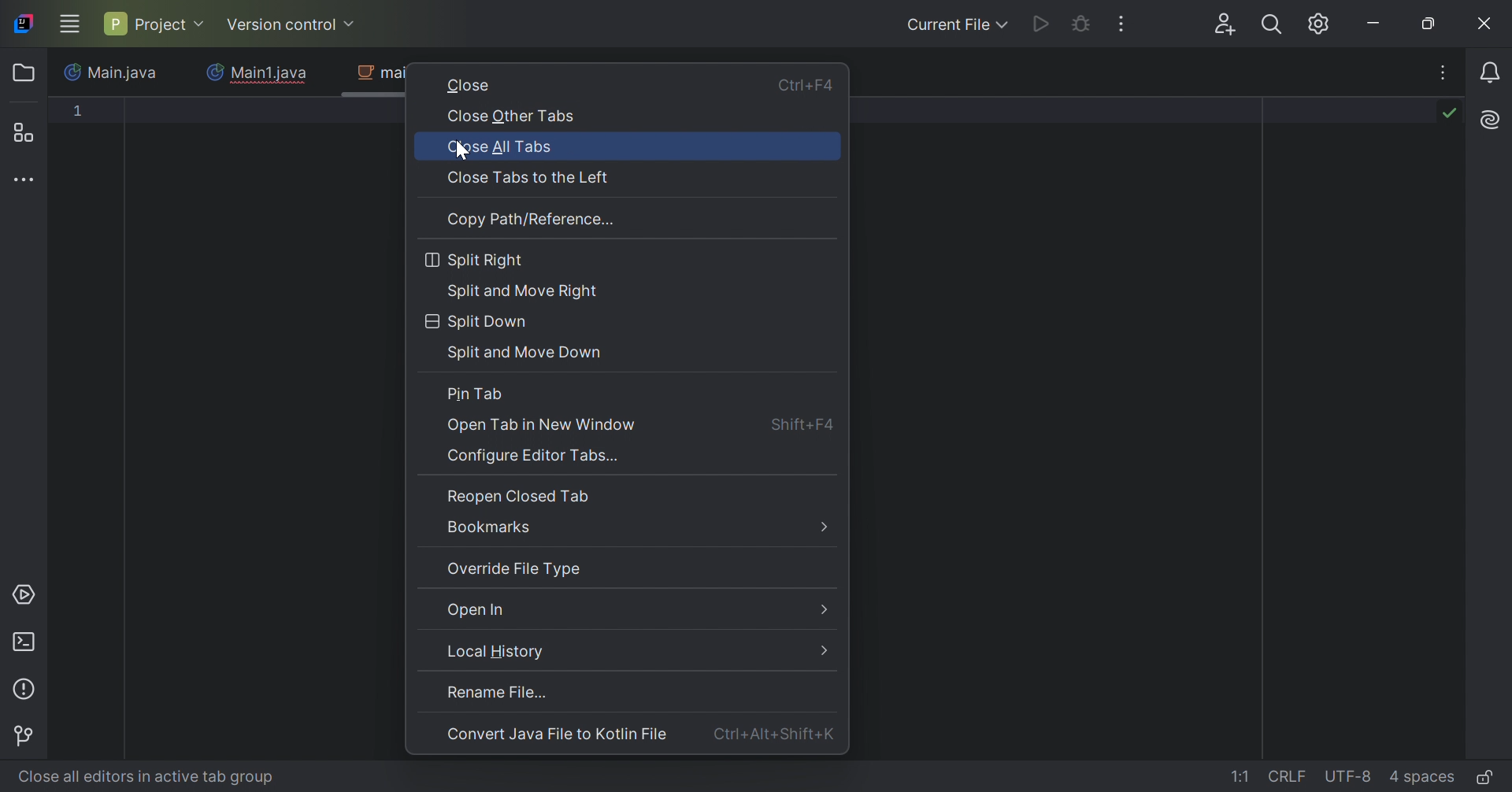  What do you see at coordinates (775, 733) in the screenshot?
I see `Ctrl+Alt+Shift+K` at bounding box center [775, 733].